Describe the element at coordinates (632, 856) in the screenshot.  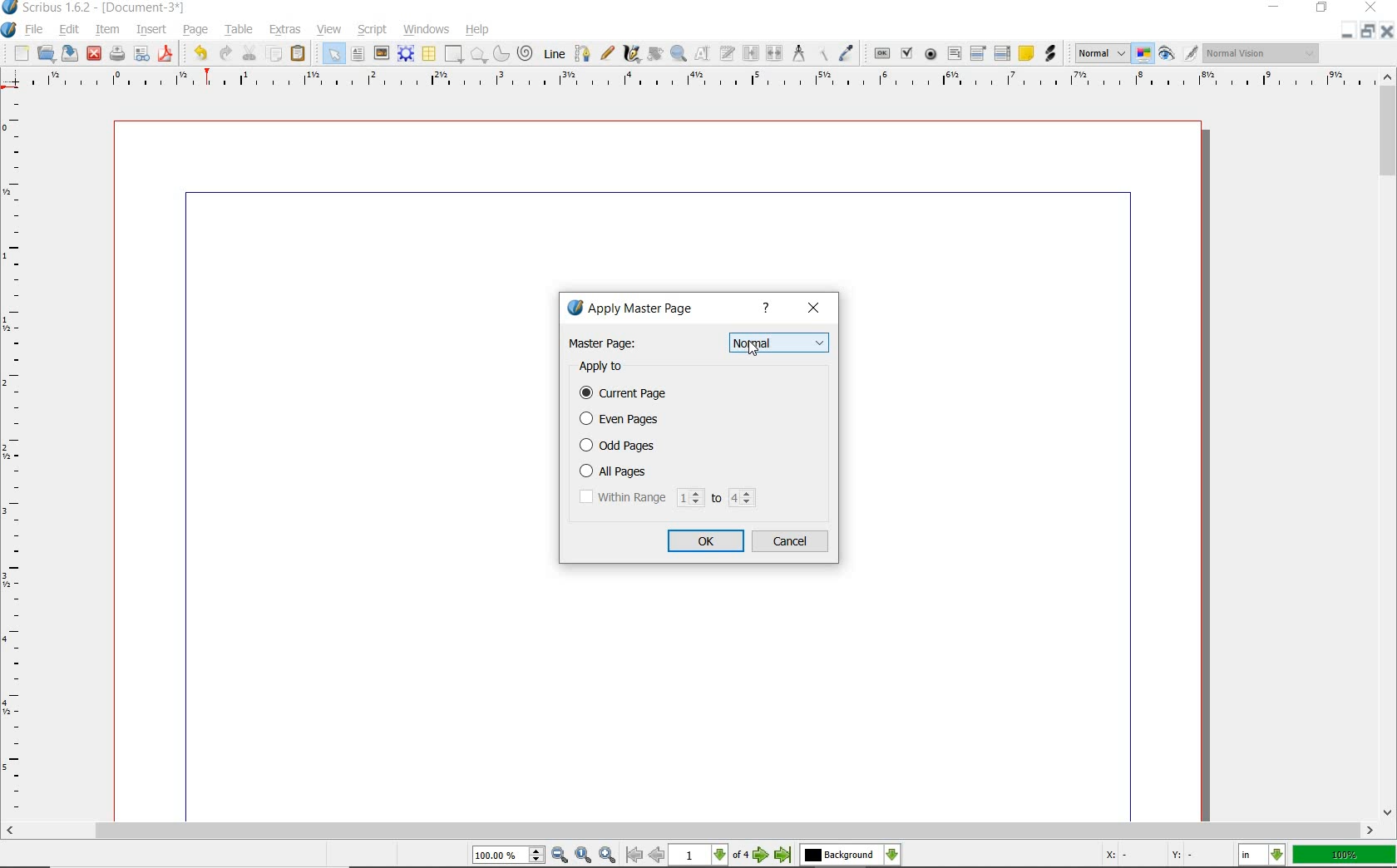
I see `First Page` at that location.